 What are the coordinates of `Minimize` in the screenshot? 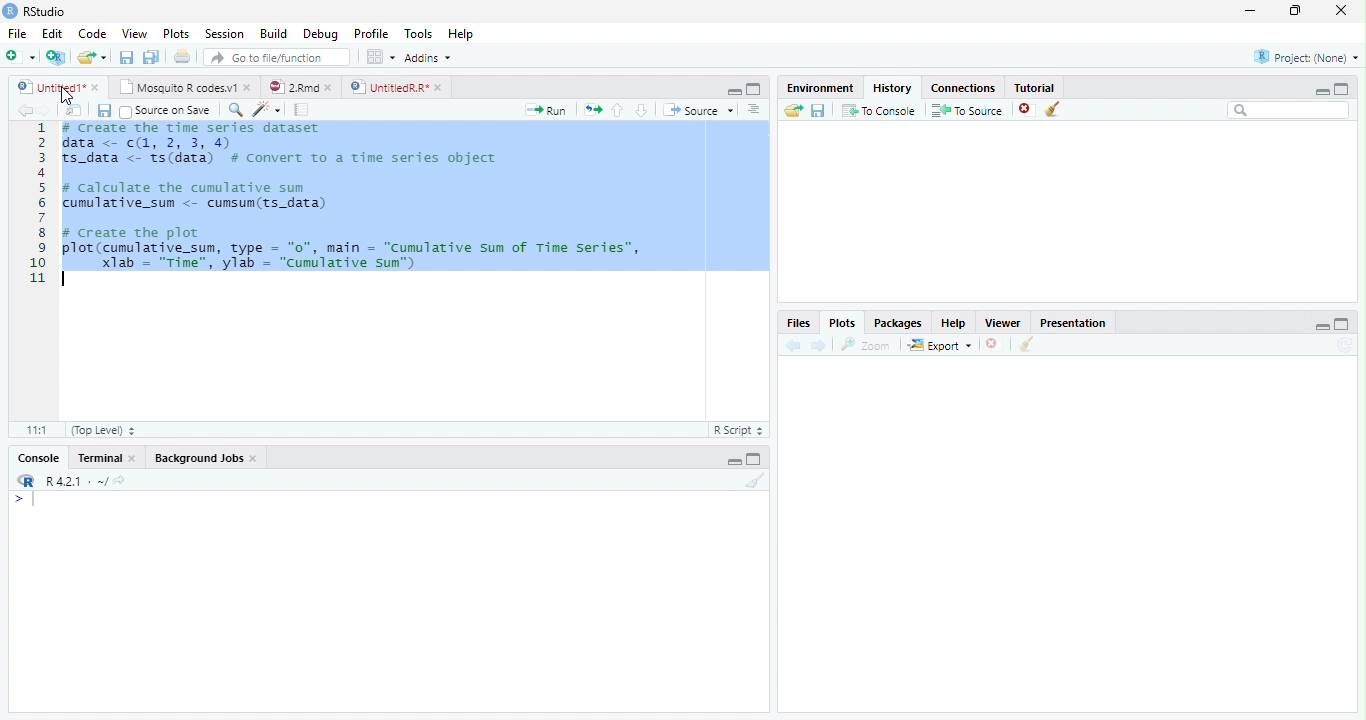 It's located at (1322, 328).